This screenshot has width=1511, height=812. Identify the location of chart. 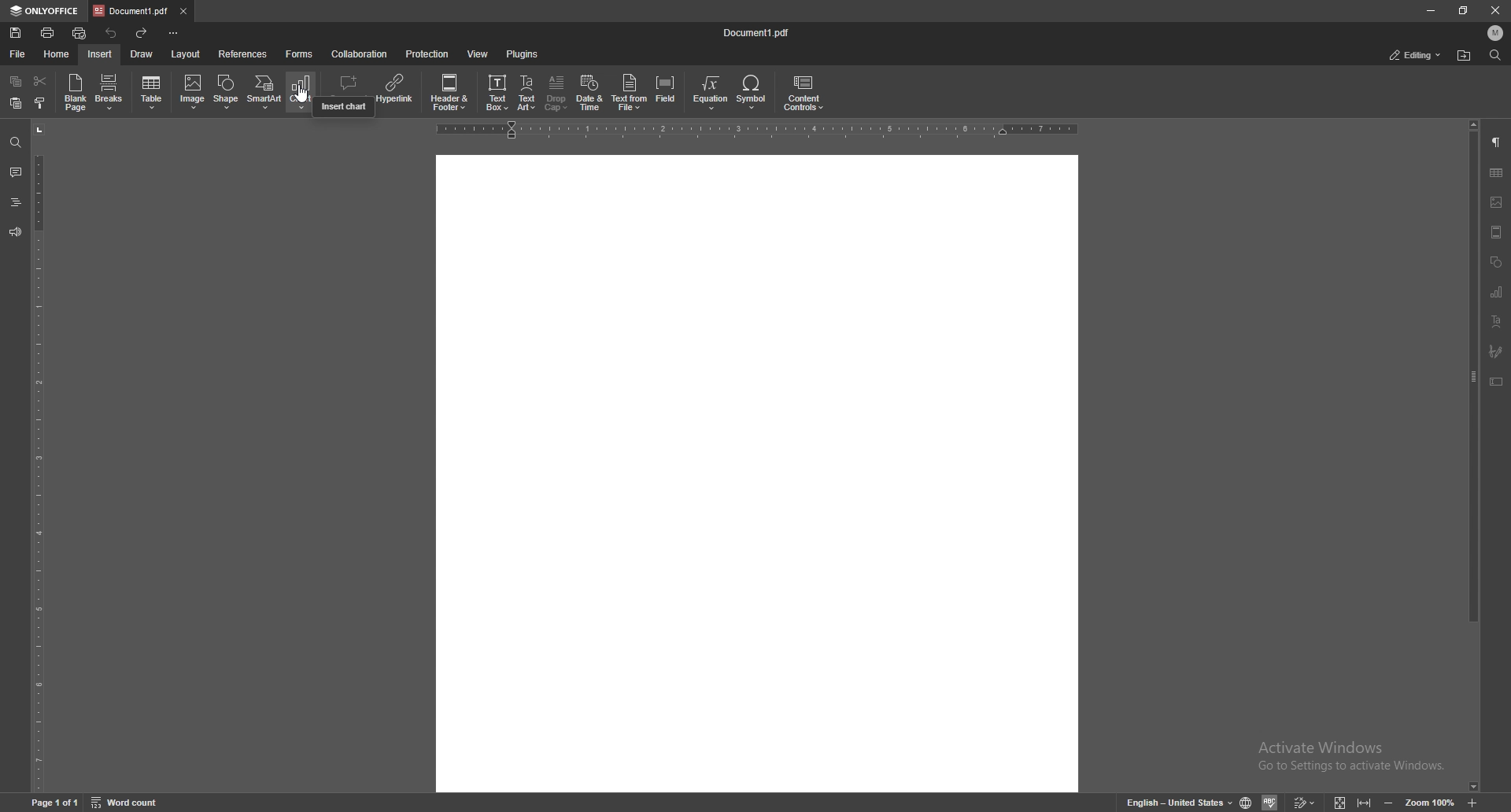
(301, 91).